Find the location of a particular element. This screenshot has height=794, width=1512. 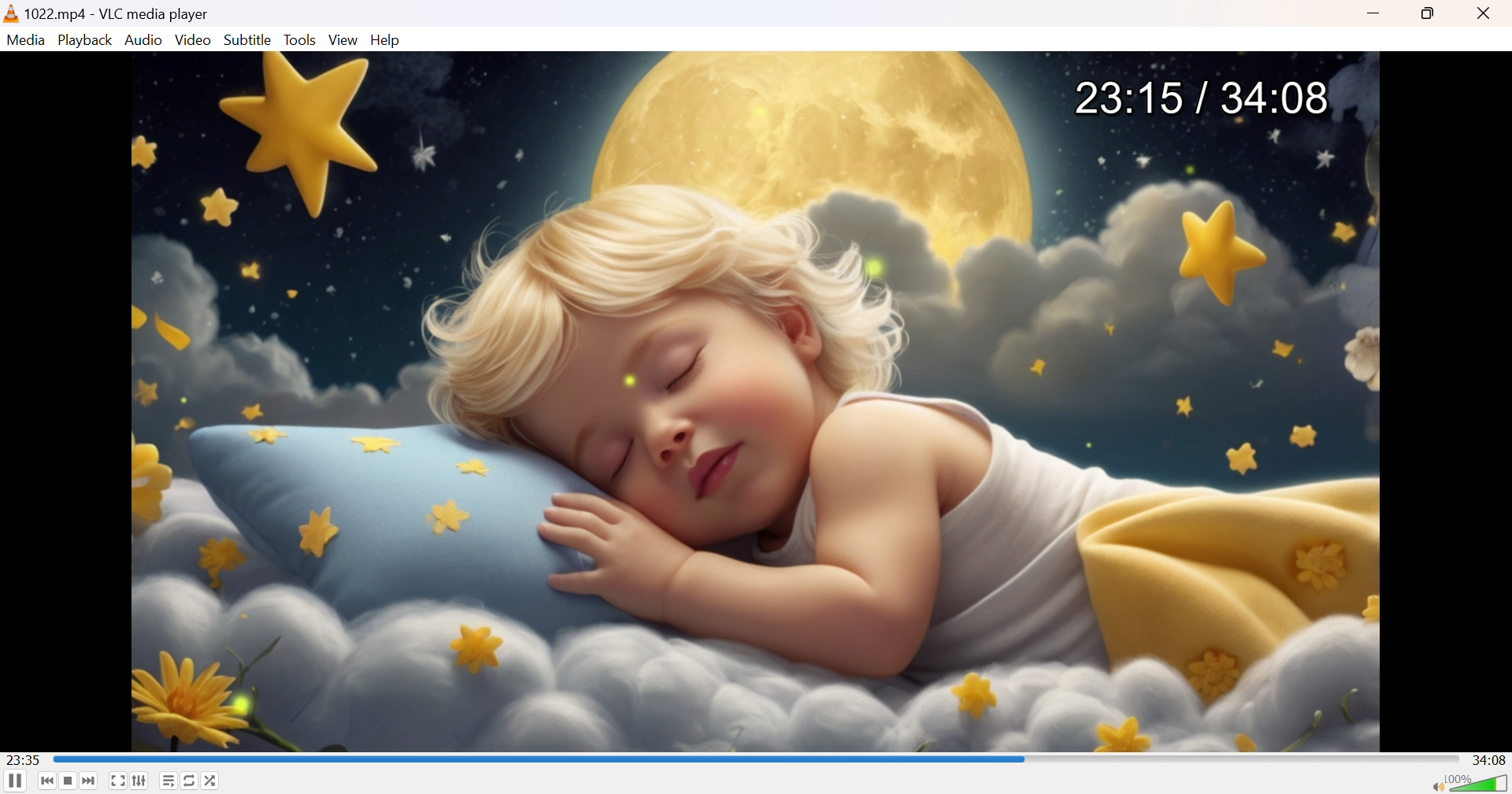

Pause the playback is located at coordinates (14, 783).